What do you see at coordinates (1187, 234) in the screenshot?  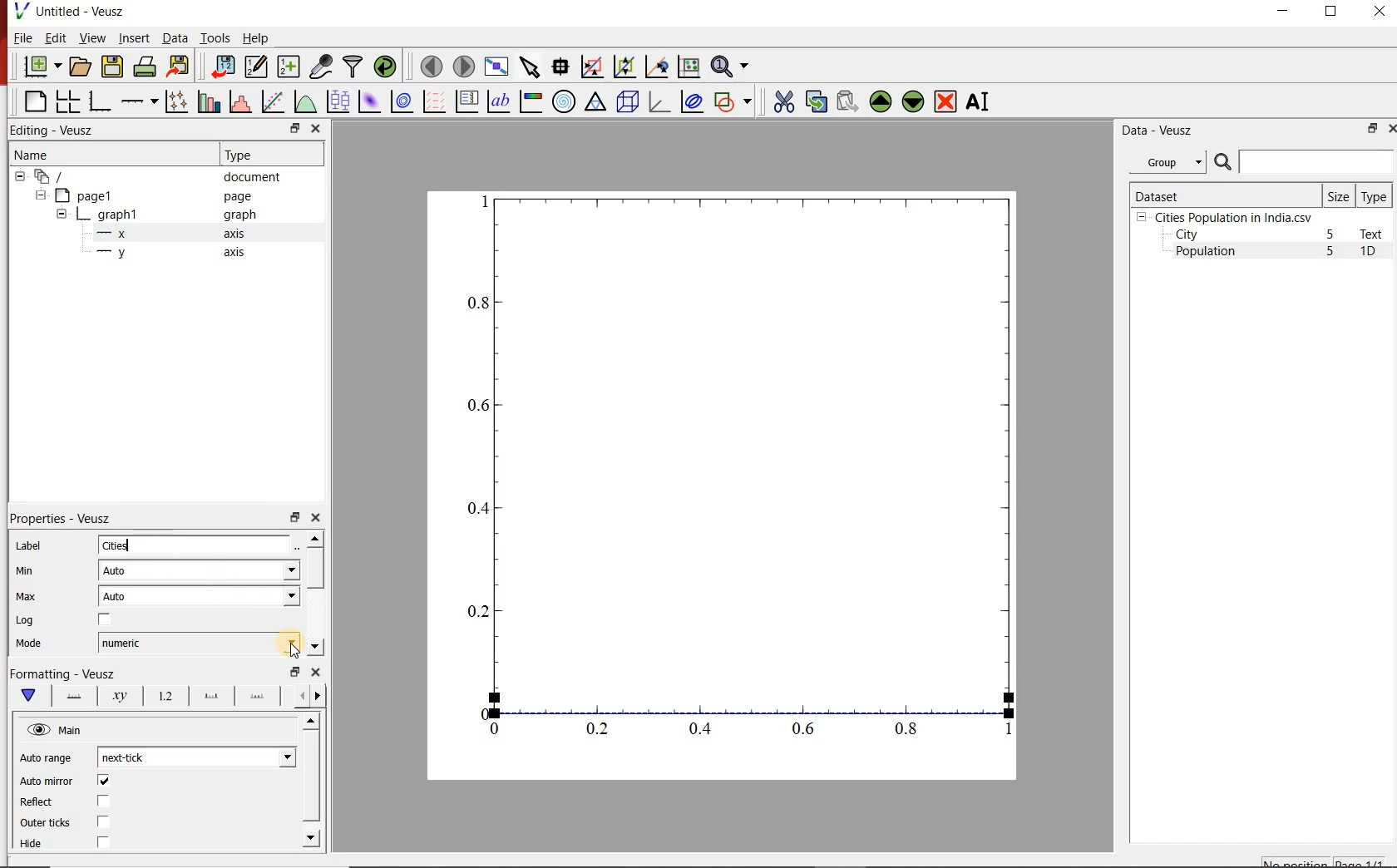 I see `City` at bounding box center [1187, 234].